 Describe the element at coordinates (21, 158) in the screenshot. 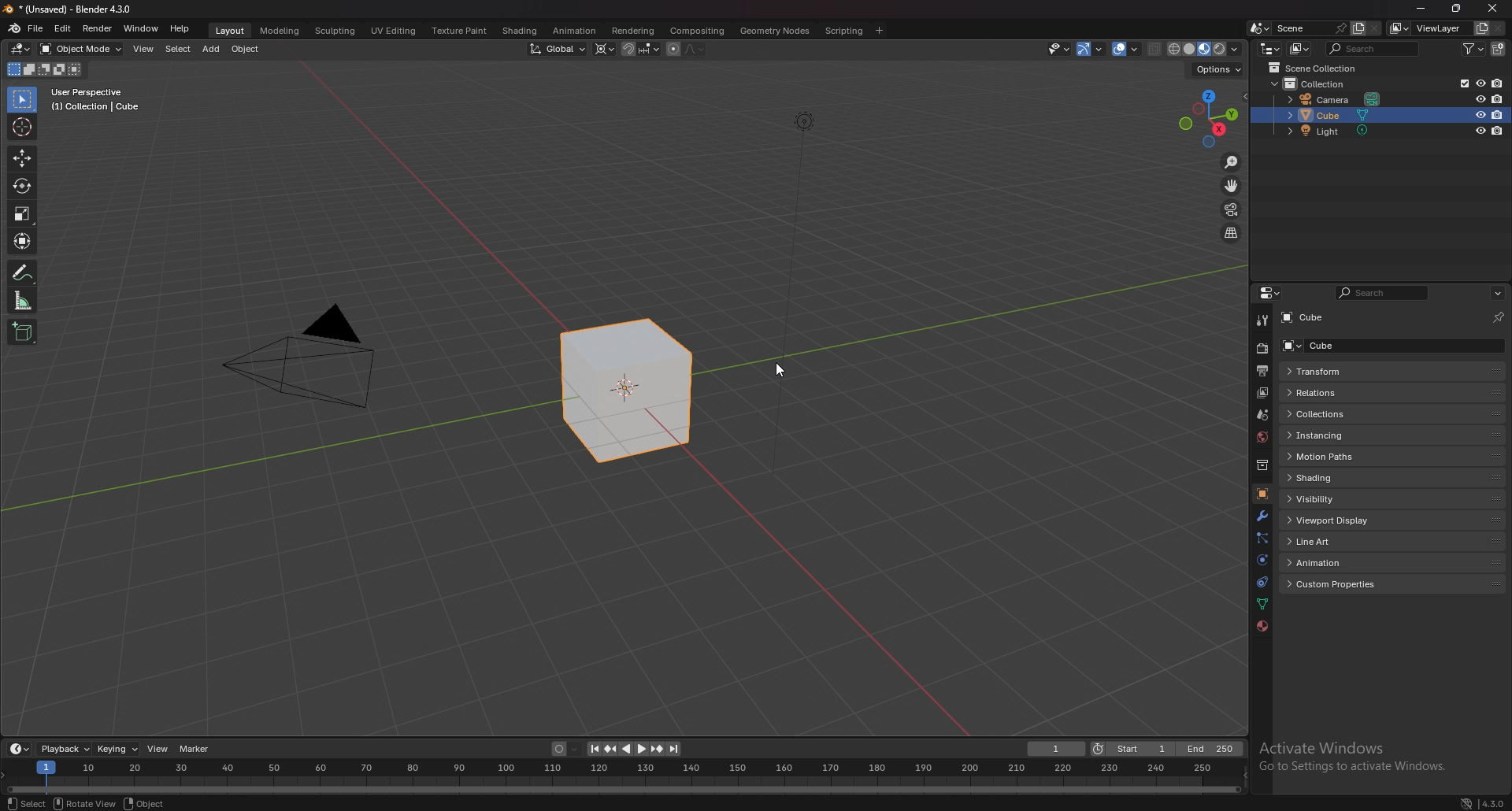

I see `move` at that location.